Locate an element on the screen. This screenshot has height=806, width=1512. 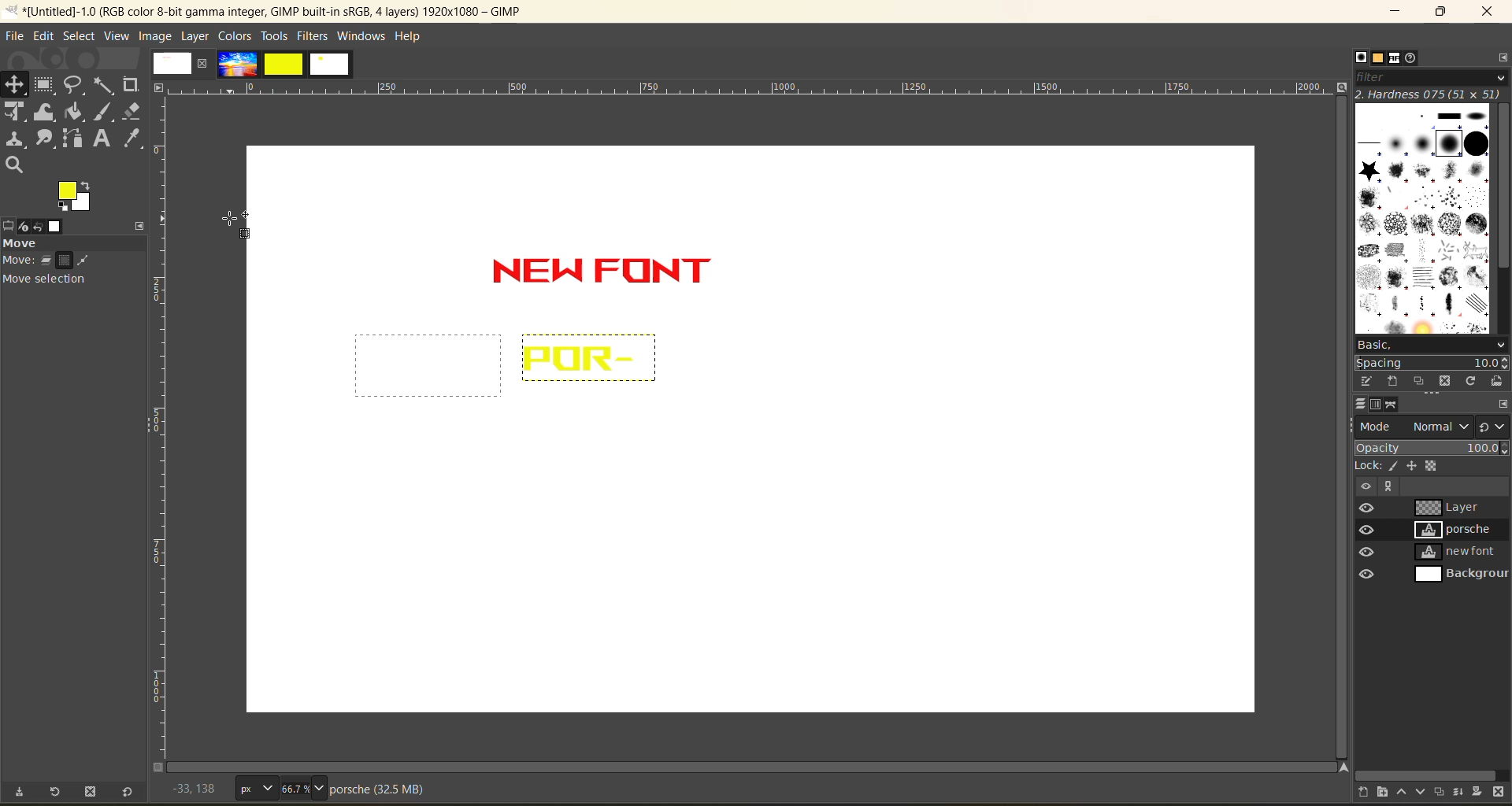
66.7% is located at coordinates (303, 789).